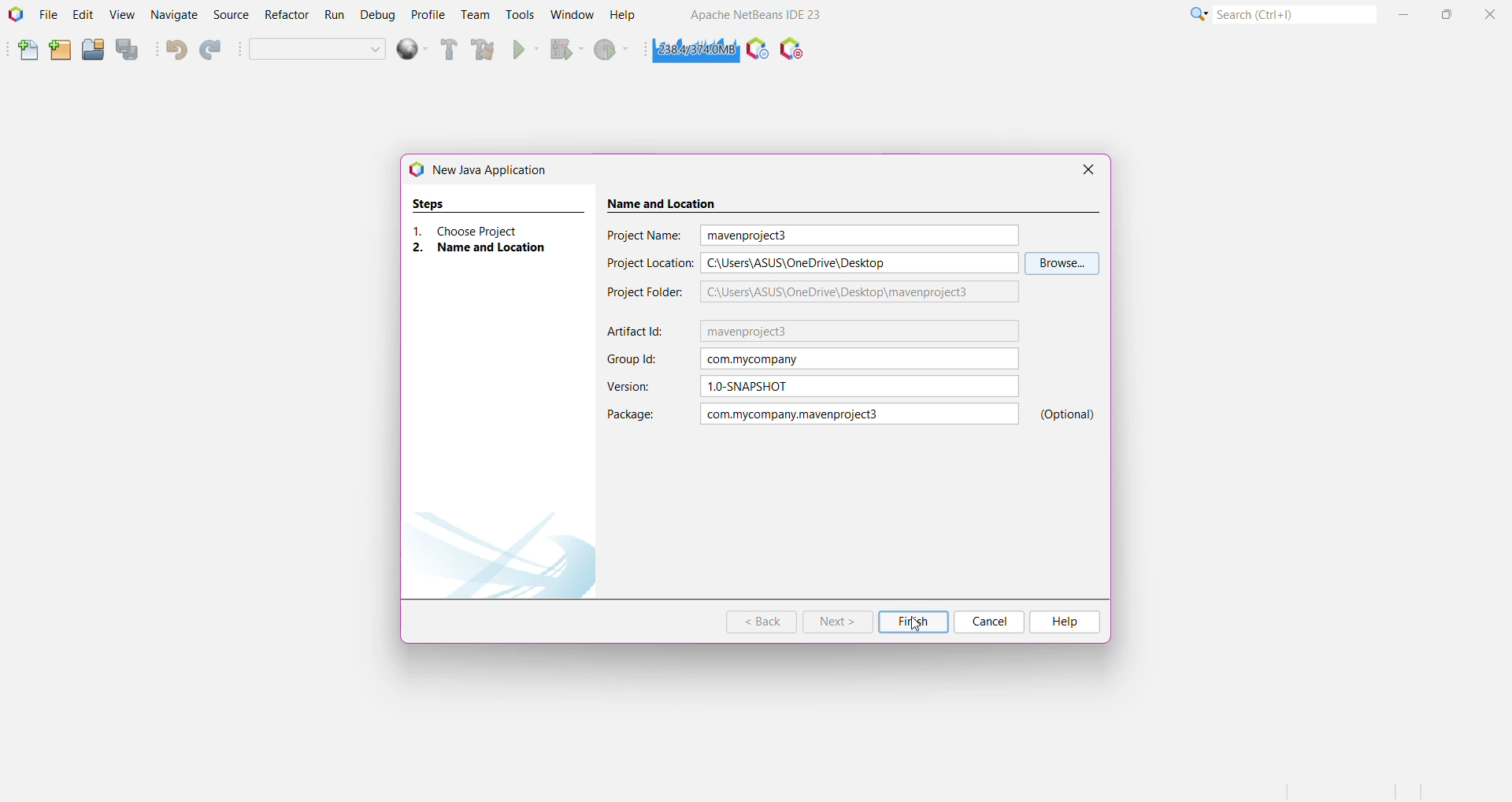 The image size is (1512, 802). Describe the element at coordinates (1295, 17) in the screenshot. I see `Search` at that location.